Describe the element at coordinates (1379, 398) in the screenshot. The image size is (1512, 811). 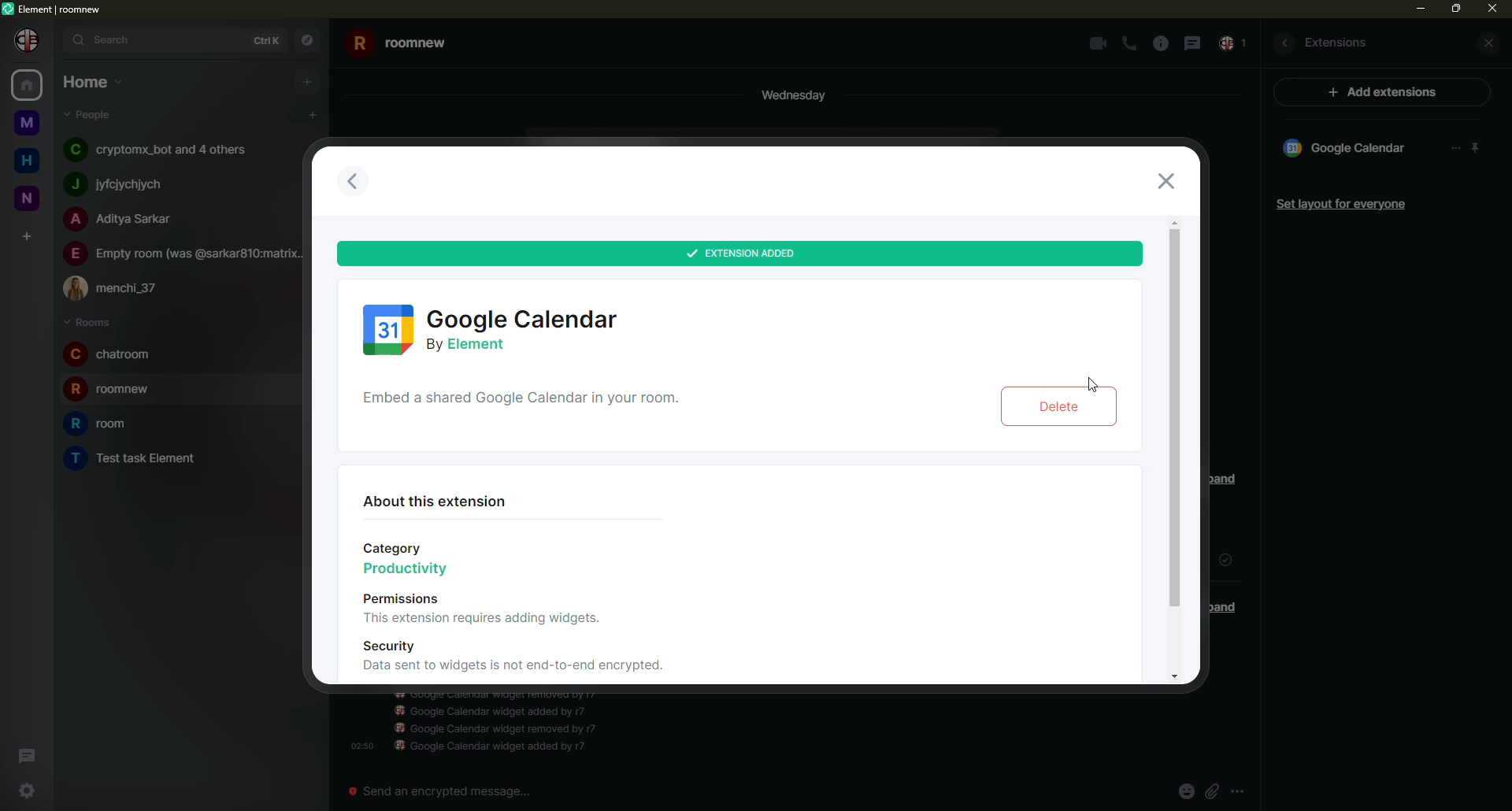
I see `icon` at that location.